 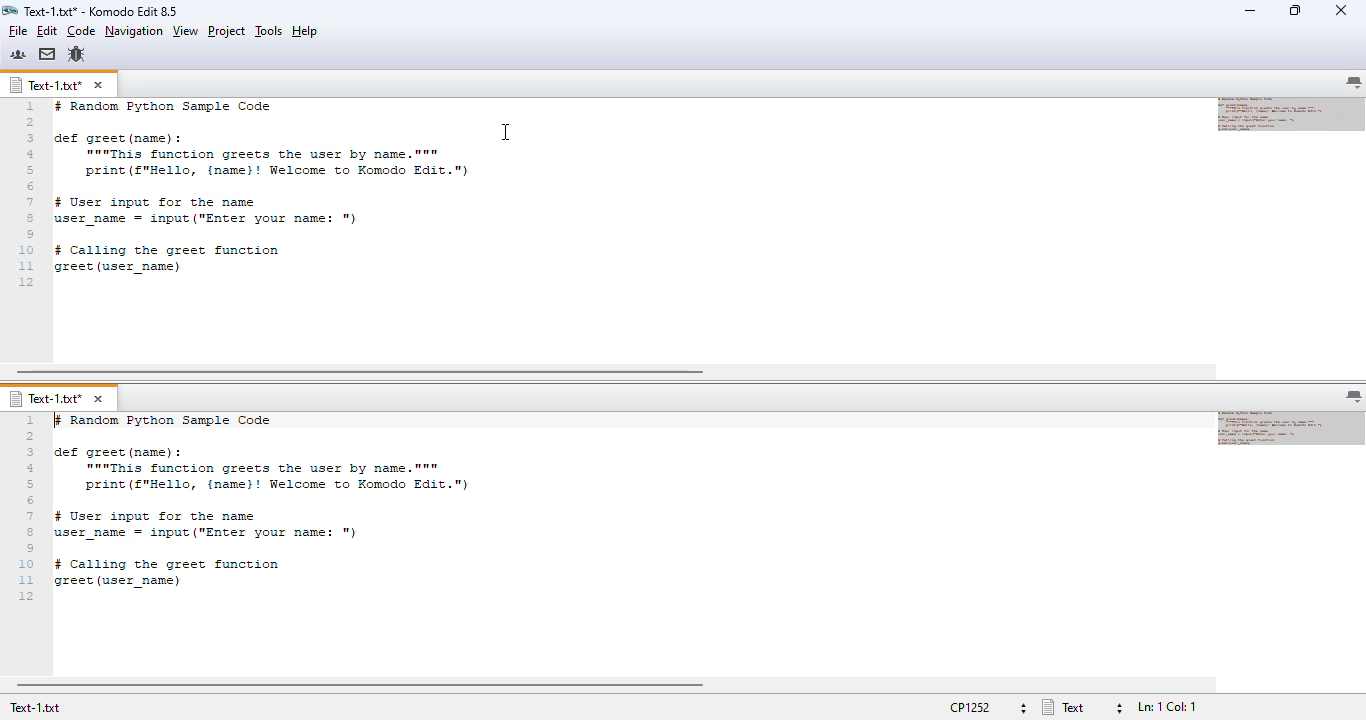 I want to click on text-1, so click(x=31, y=708).